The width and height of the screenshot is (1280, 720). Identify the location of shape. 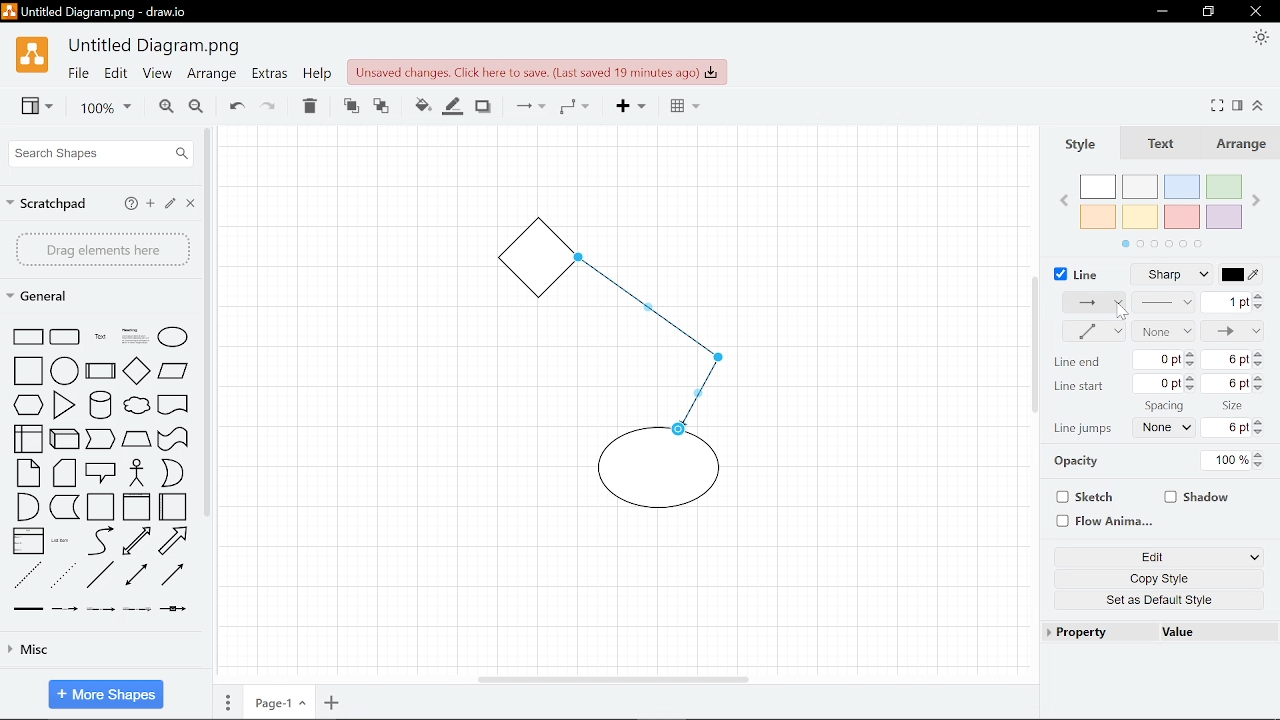
(137, 370).